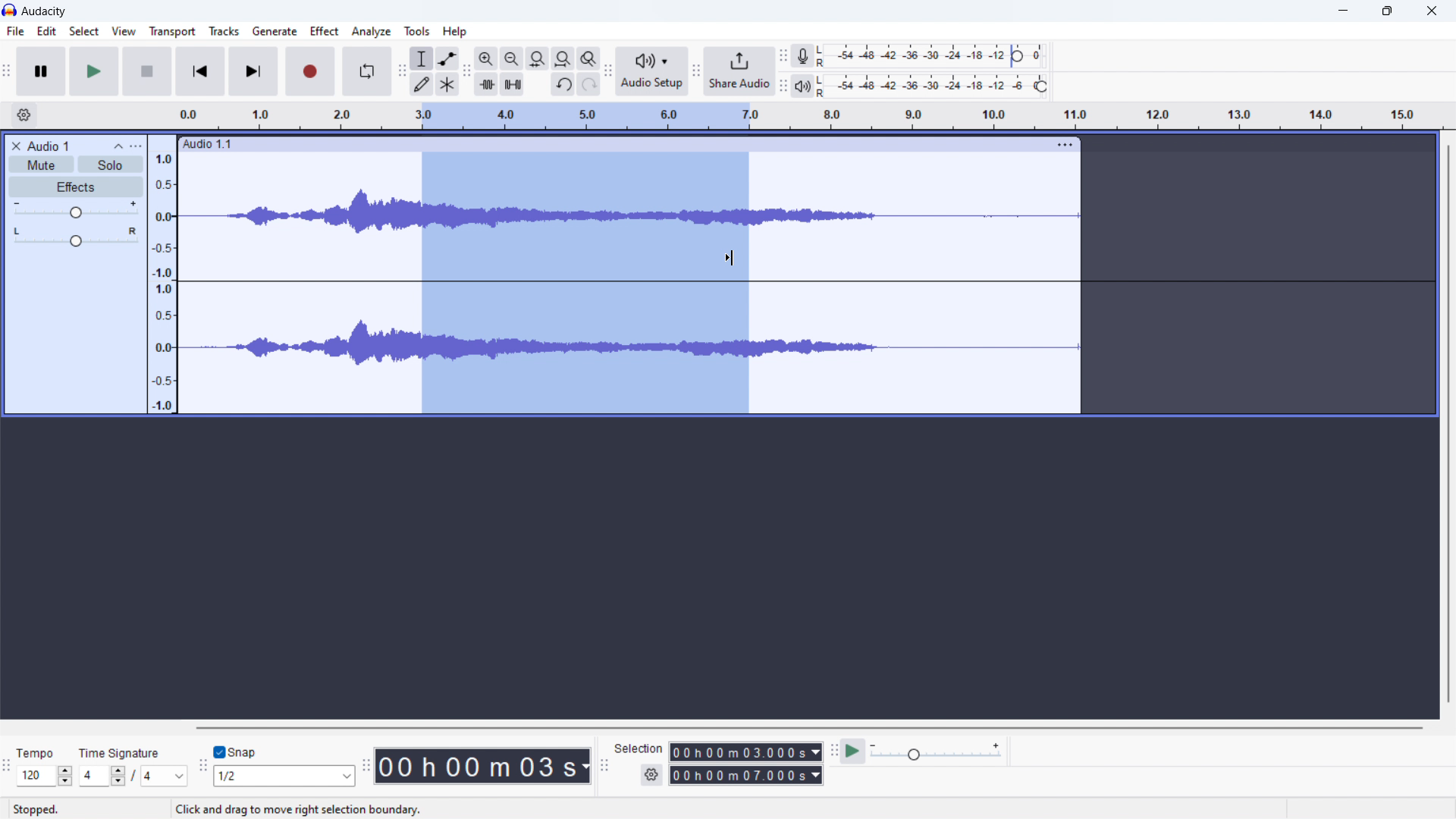 Image resolution: width=1456 pixels, height=819 pixels. I want to click on /, so click(134, 775).